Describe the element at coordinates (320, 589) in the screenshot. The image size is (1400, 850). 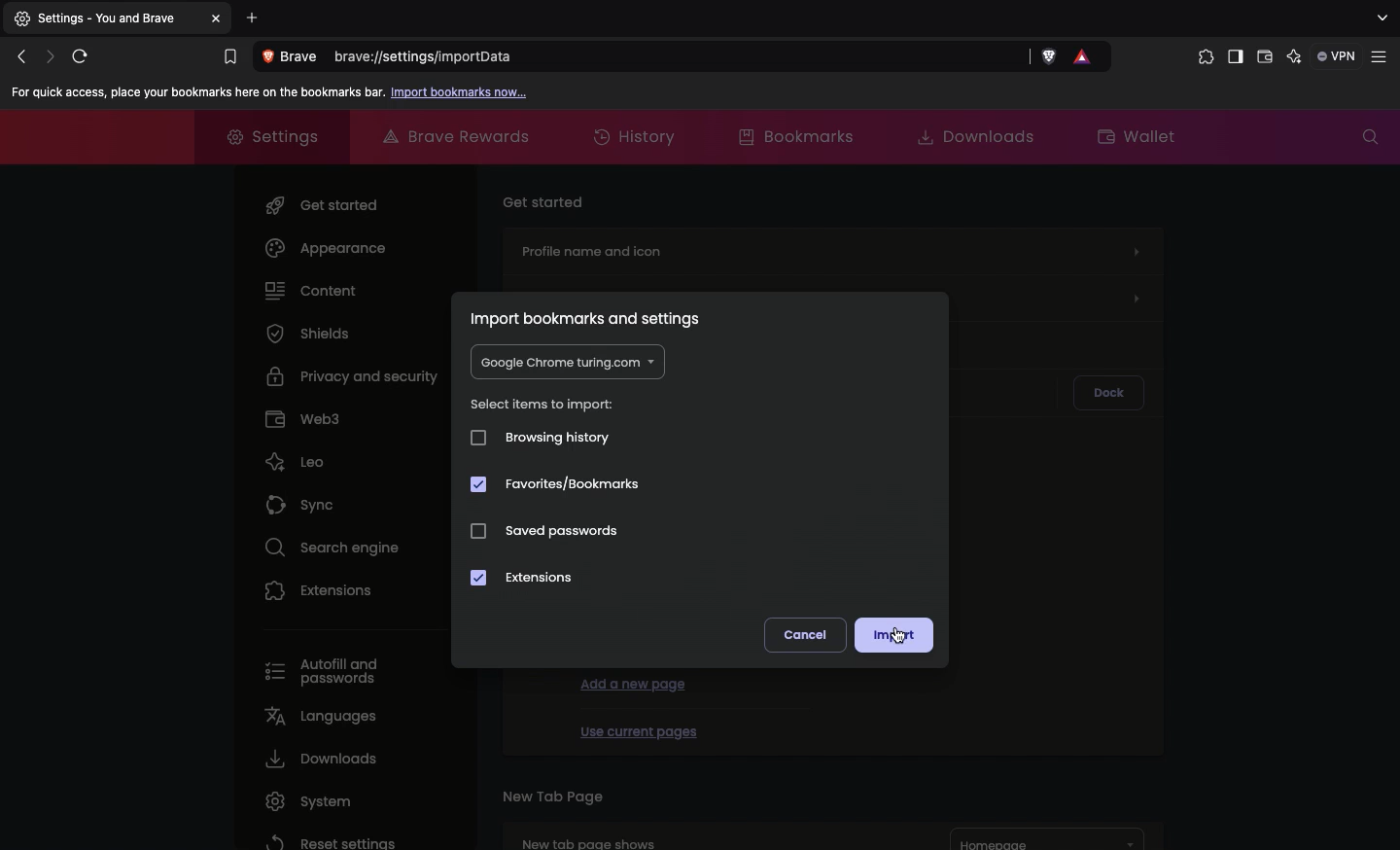
I see `Extensions` at that location.